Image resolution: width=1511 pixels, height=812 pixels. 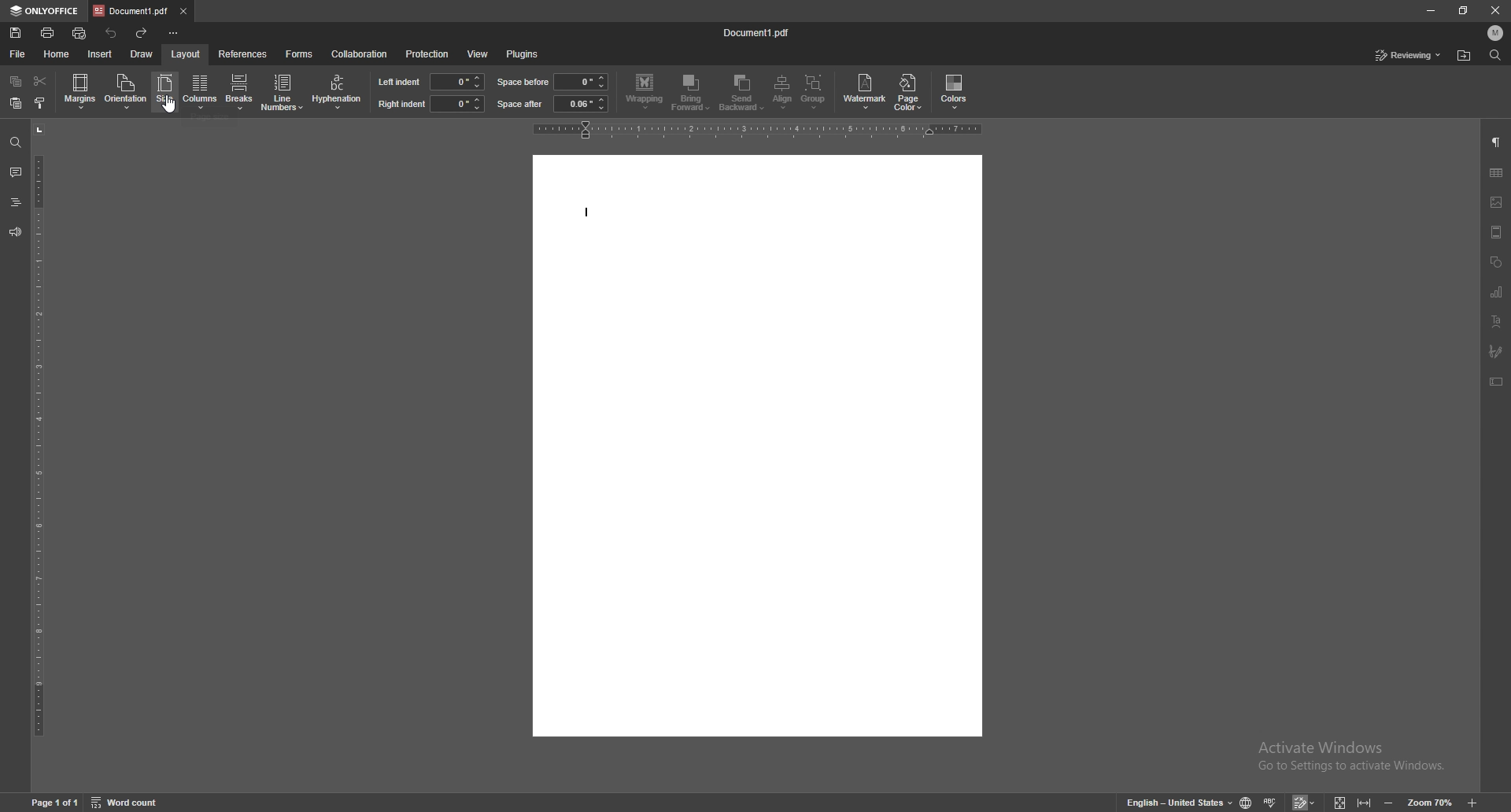 I want to click on onlyoffice, so click(x=45, y=12).